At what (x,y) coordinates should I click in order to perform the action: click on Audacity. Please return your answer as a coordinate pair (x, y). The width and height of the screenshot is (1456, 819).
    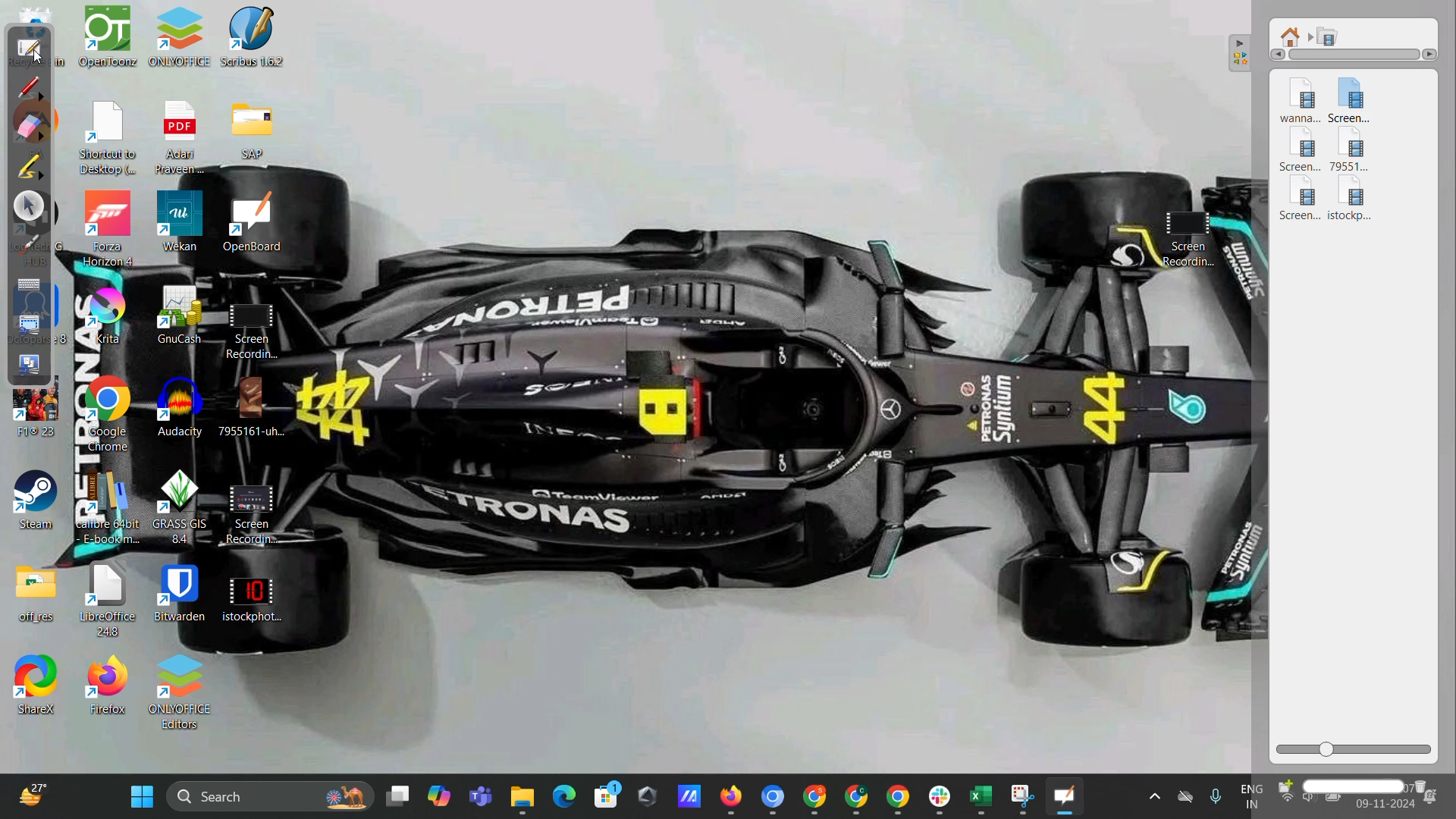
    Looking at the image, I should click on (175, 409).